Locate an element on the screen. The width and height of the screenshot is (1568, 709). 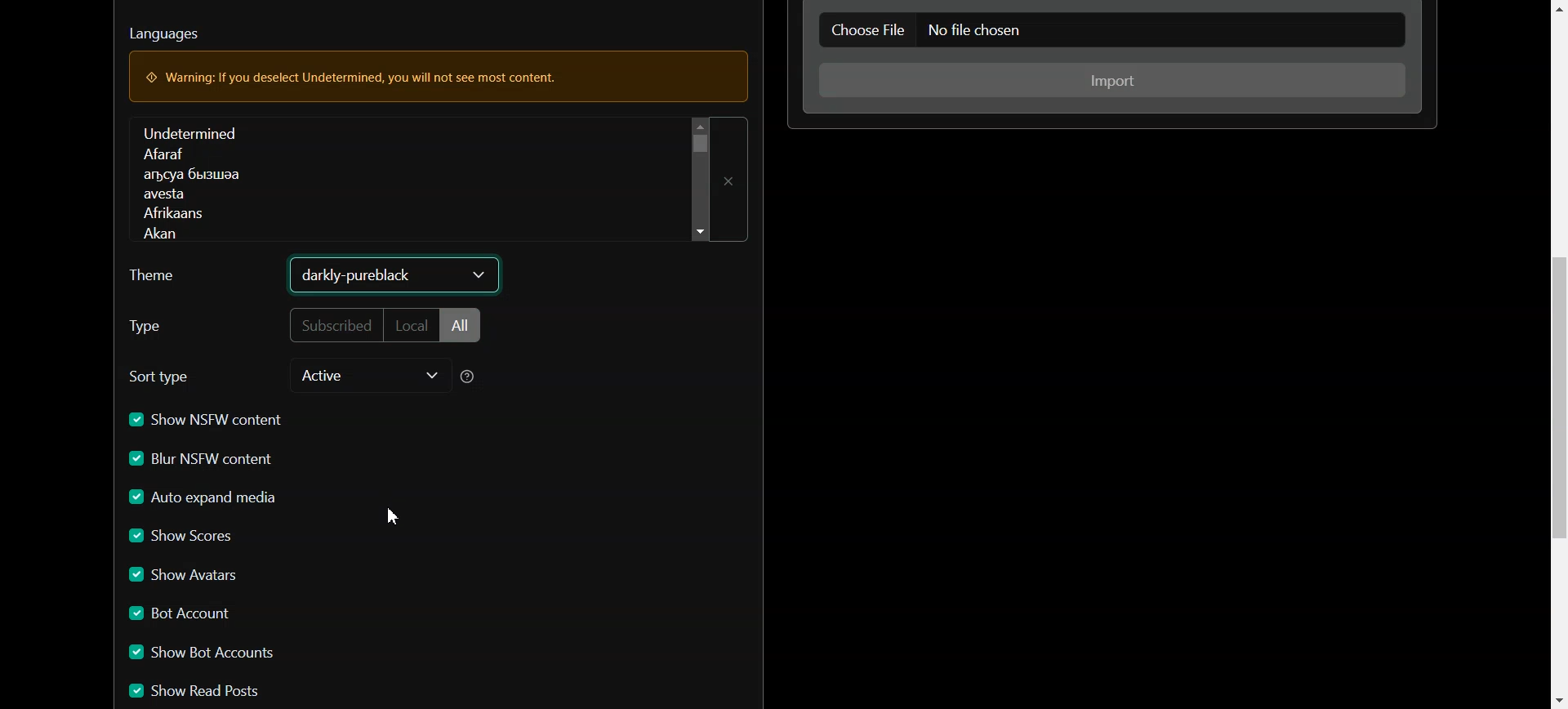
no file chosen is located at coordinates (1168, 32).